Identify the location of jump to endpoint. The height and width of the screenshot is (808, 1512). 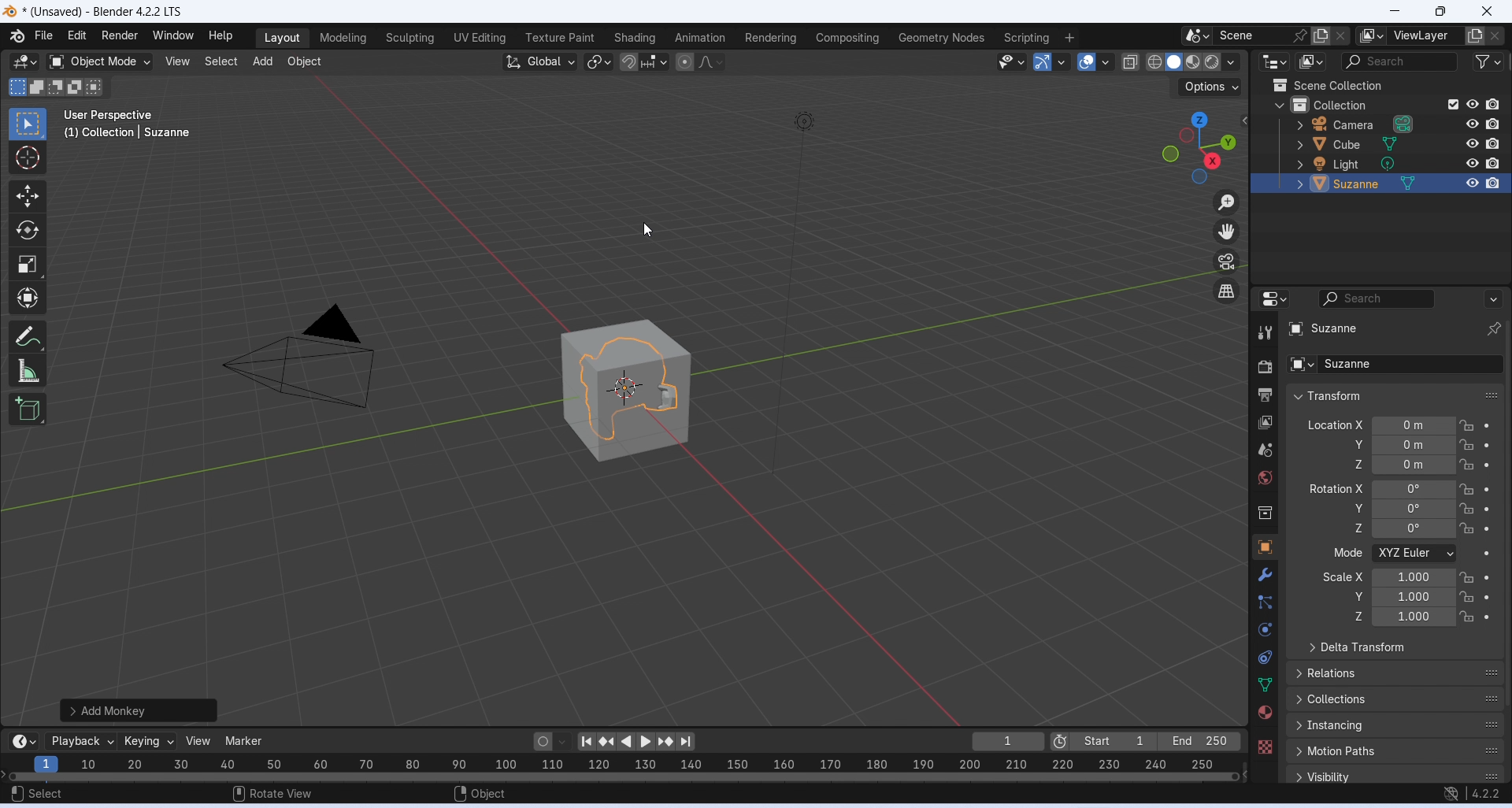
(685, 742).